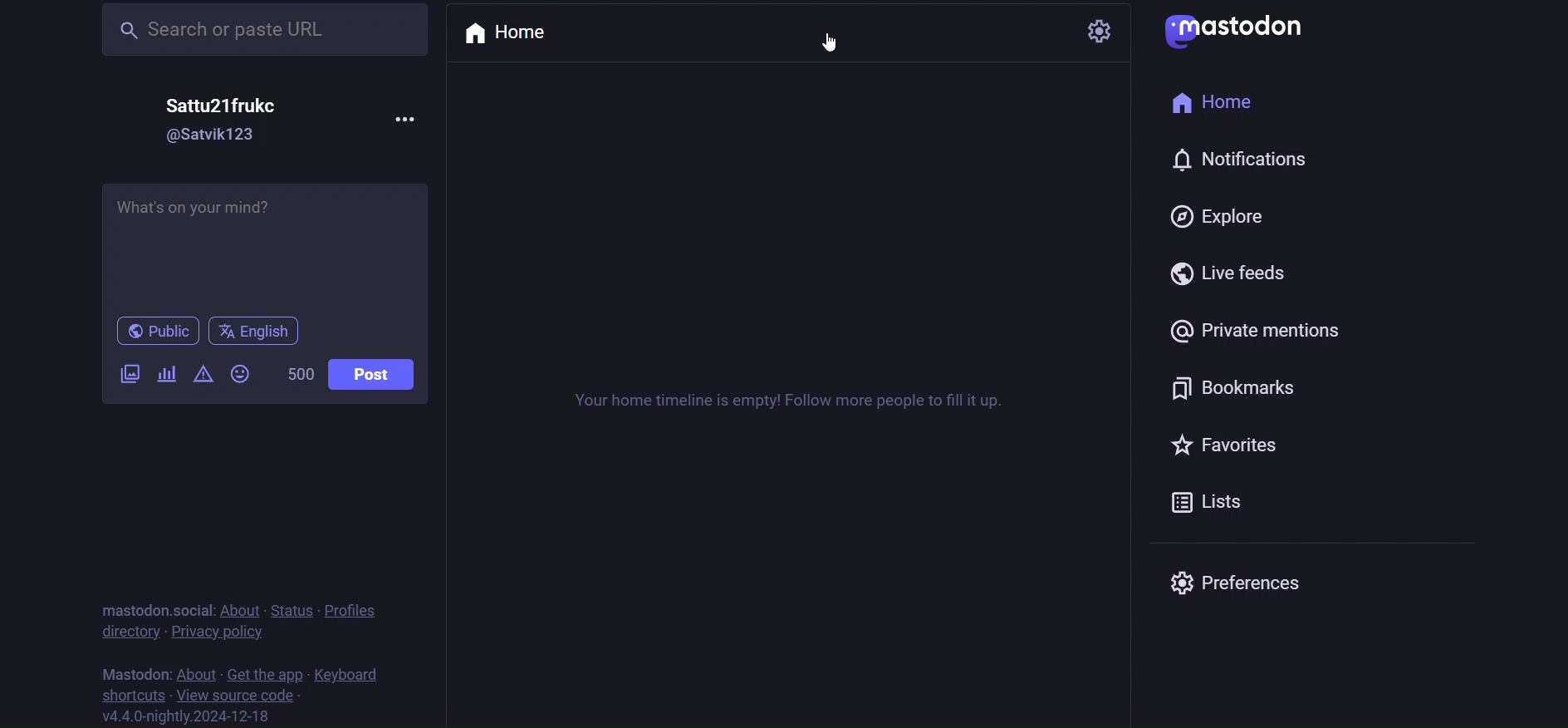 The image size is (1568, 728). Describe the element at coordinates (243, 607) in the screenshot. I see `about` at that location.